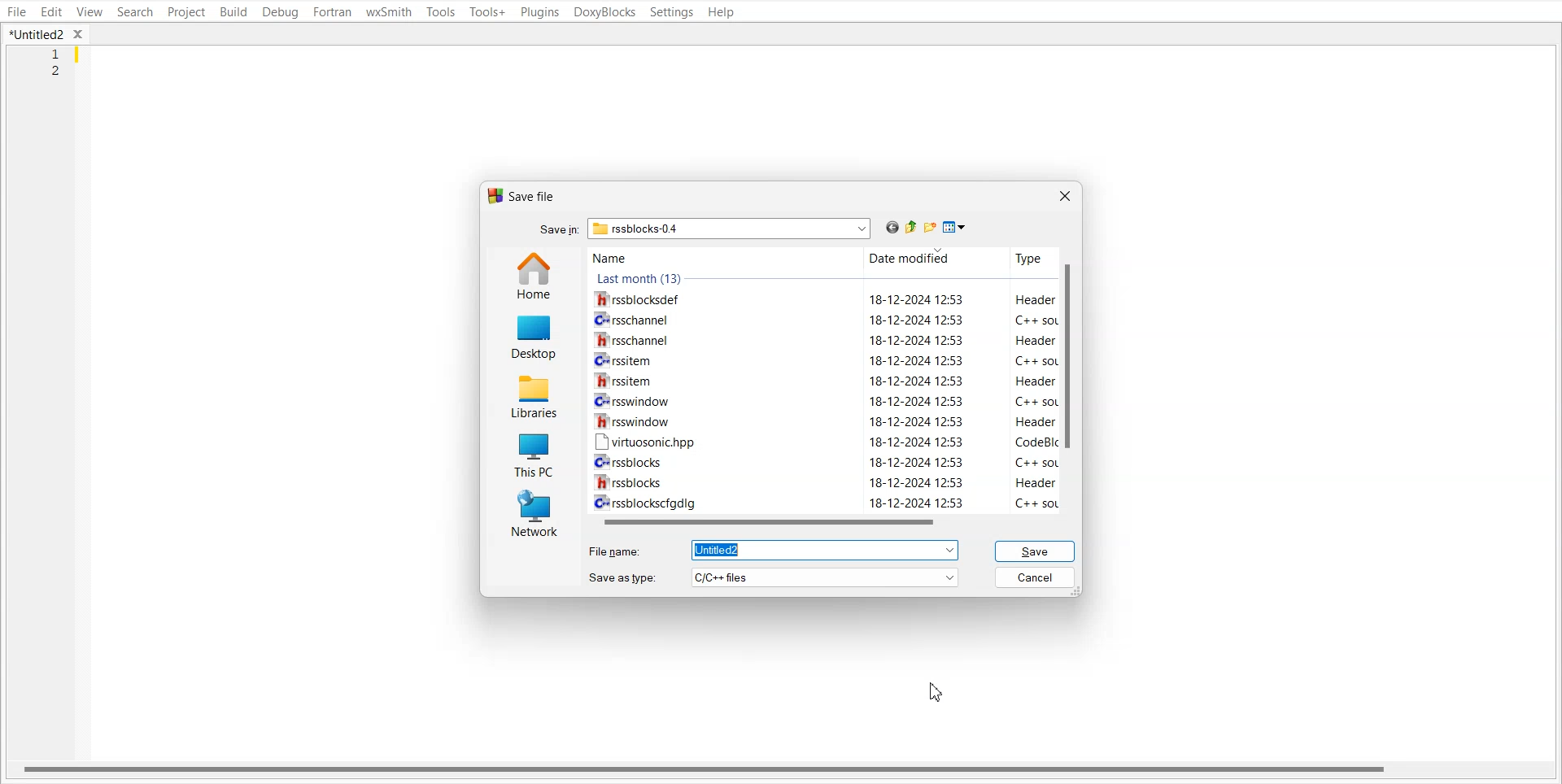 Image resolution: width=1562 pixels, height=784 pixels. I want to click on Cv rssblocks 18-12-2024 12:53 C++ sol, so click(827, 461).